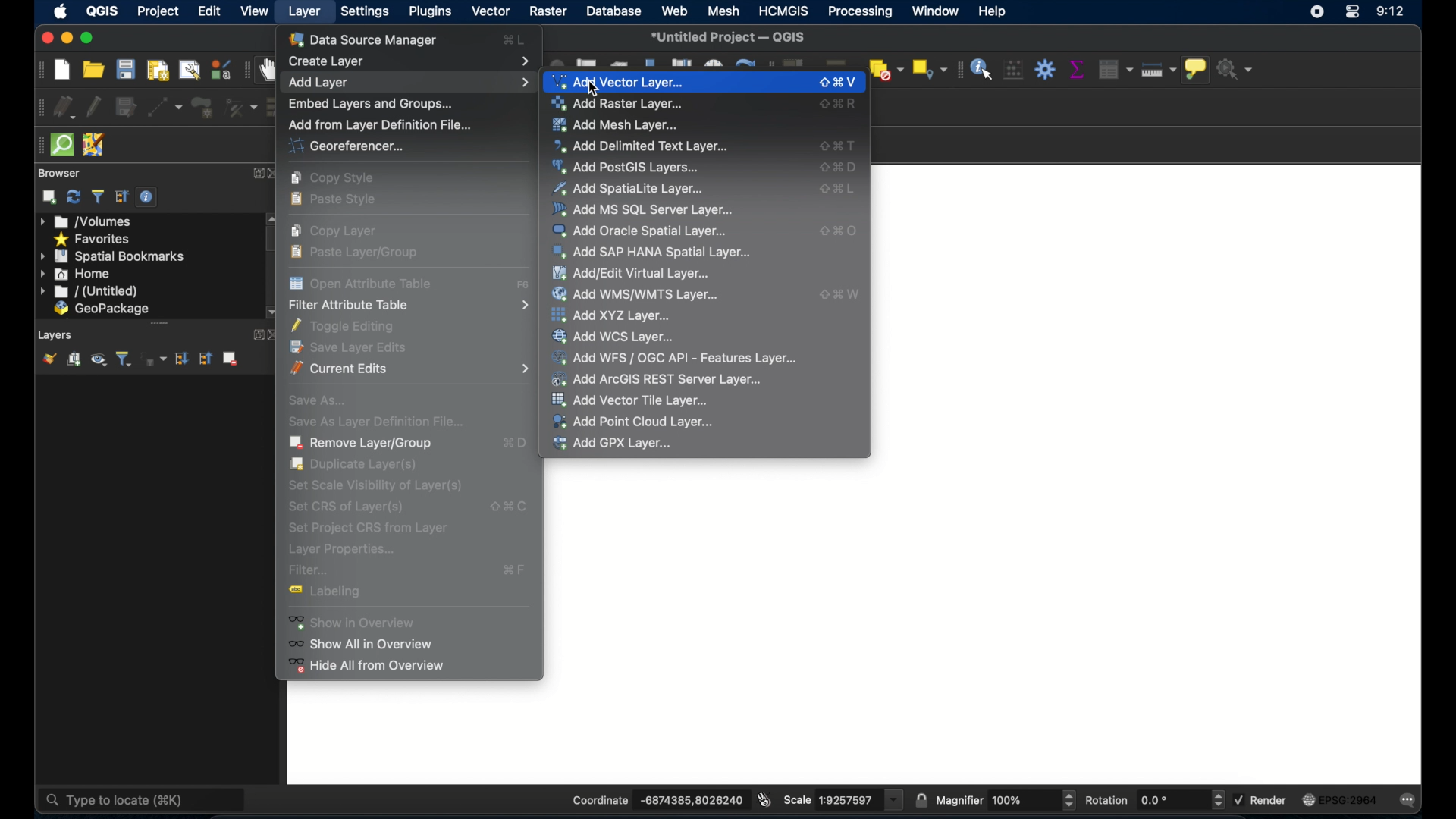 The width and height of the screenshot is (1456, 819). Describe the element at coordinates (74, 197) in the screenshot. I see `refresh` at that location.